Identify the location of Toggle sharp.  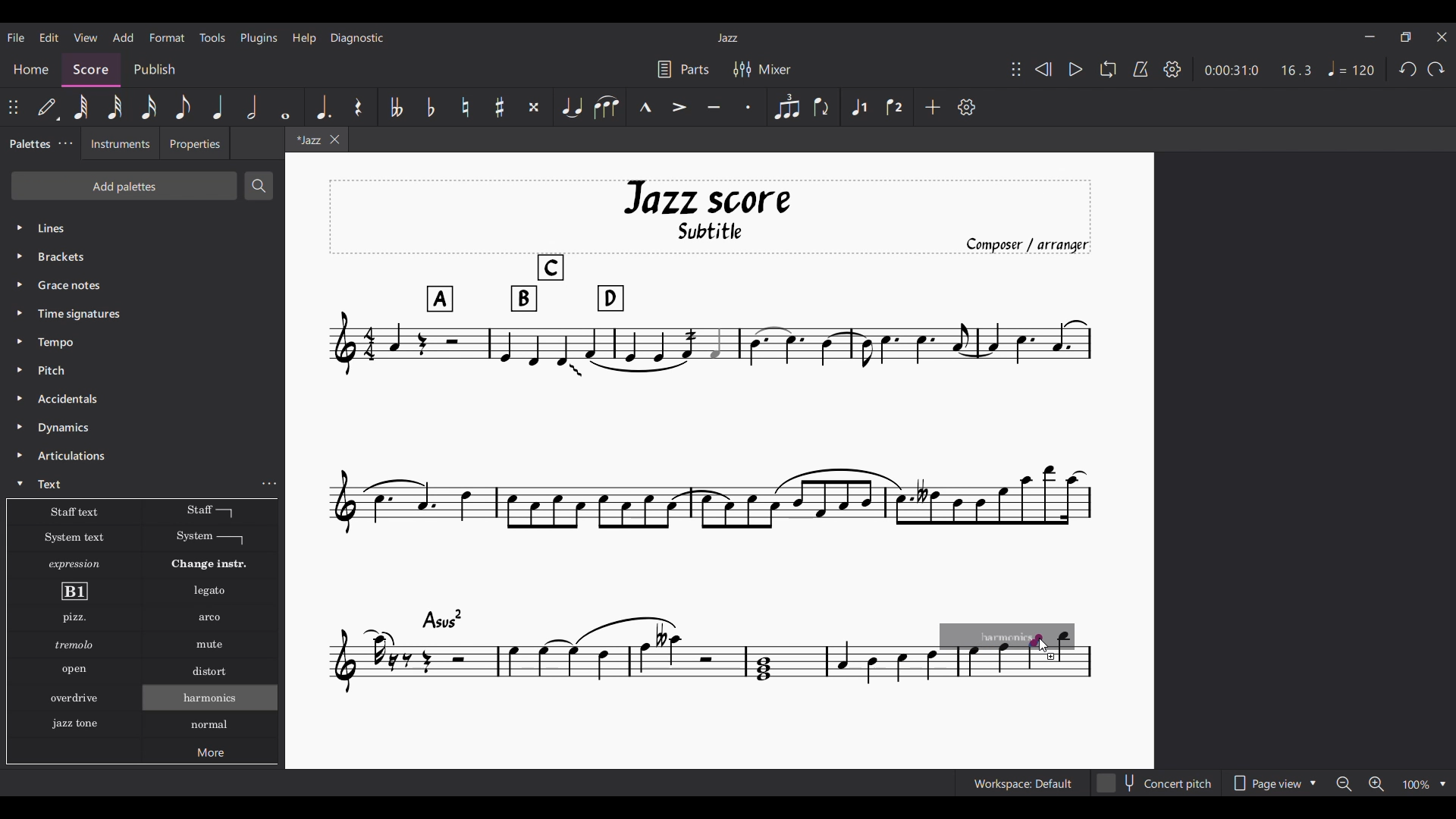
(500, 106).